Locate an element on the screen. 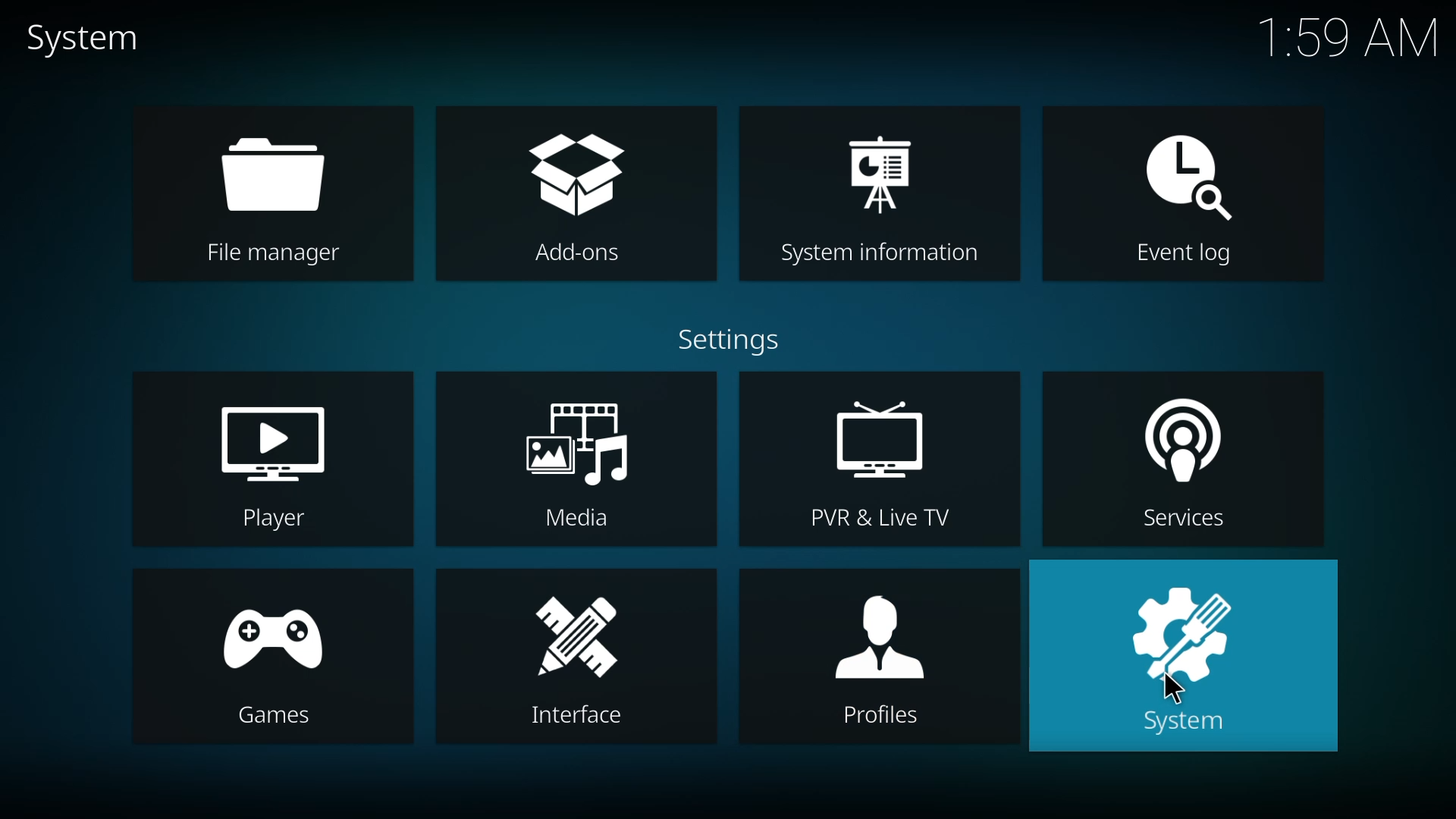 The image size is (1456, 819). system is located at coordinates (91, 37).